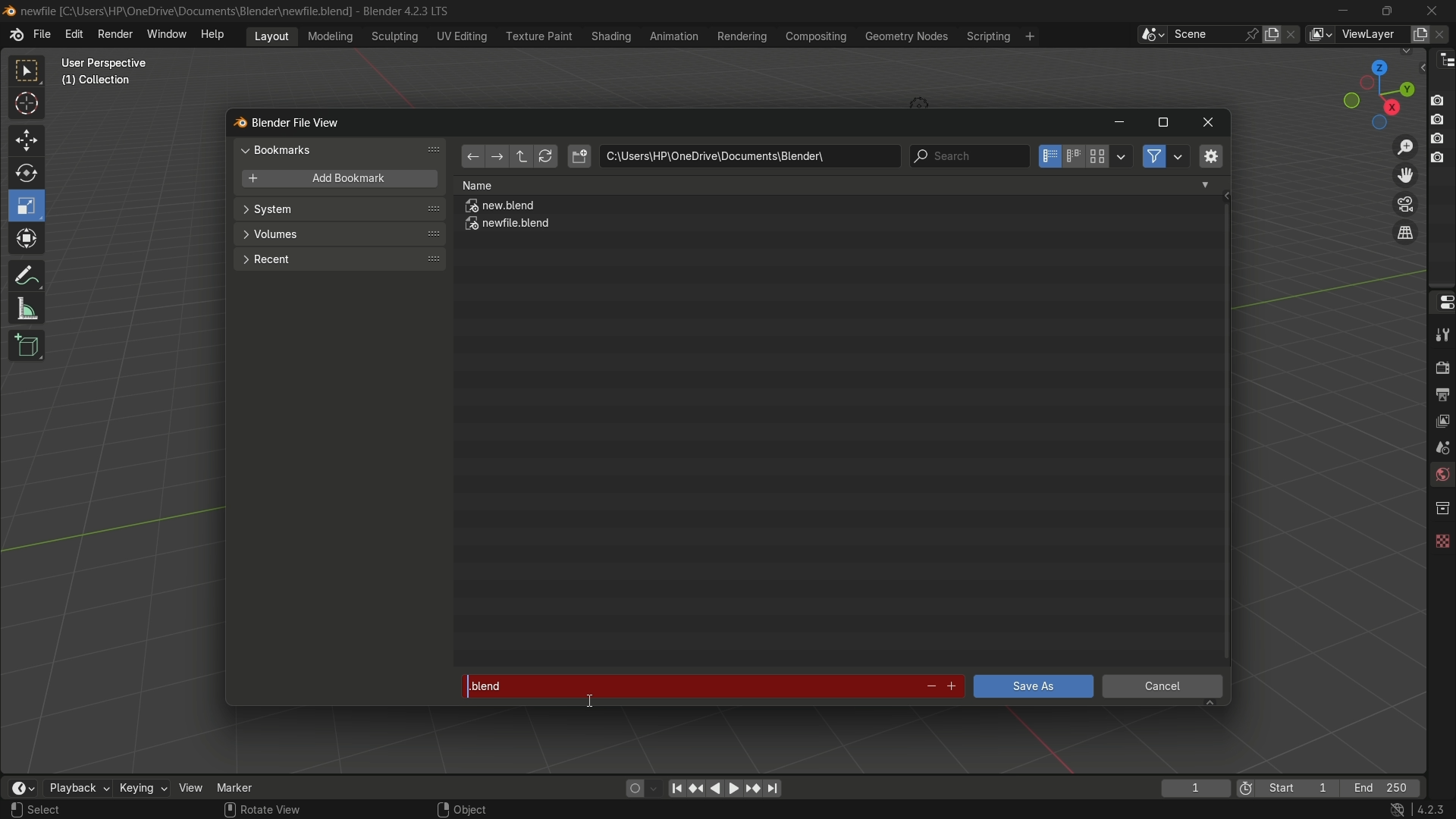 This screenshot has width=1456, height=819. What do you see at coordinates (744, 36) in the screenshot?
I see `rendering menu` at bounding box center [744, 36].